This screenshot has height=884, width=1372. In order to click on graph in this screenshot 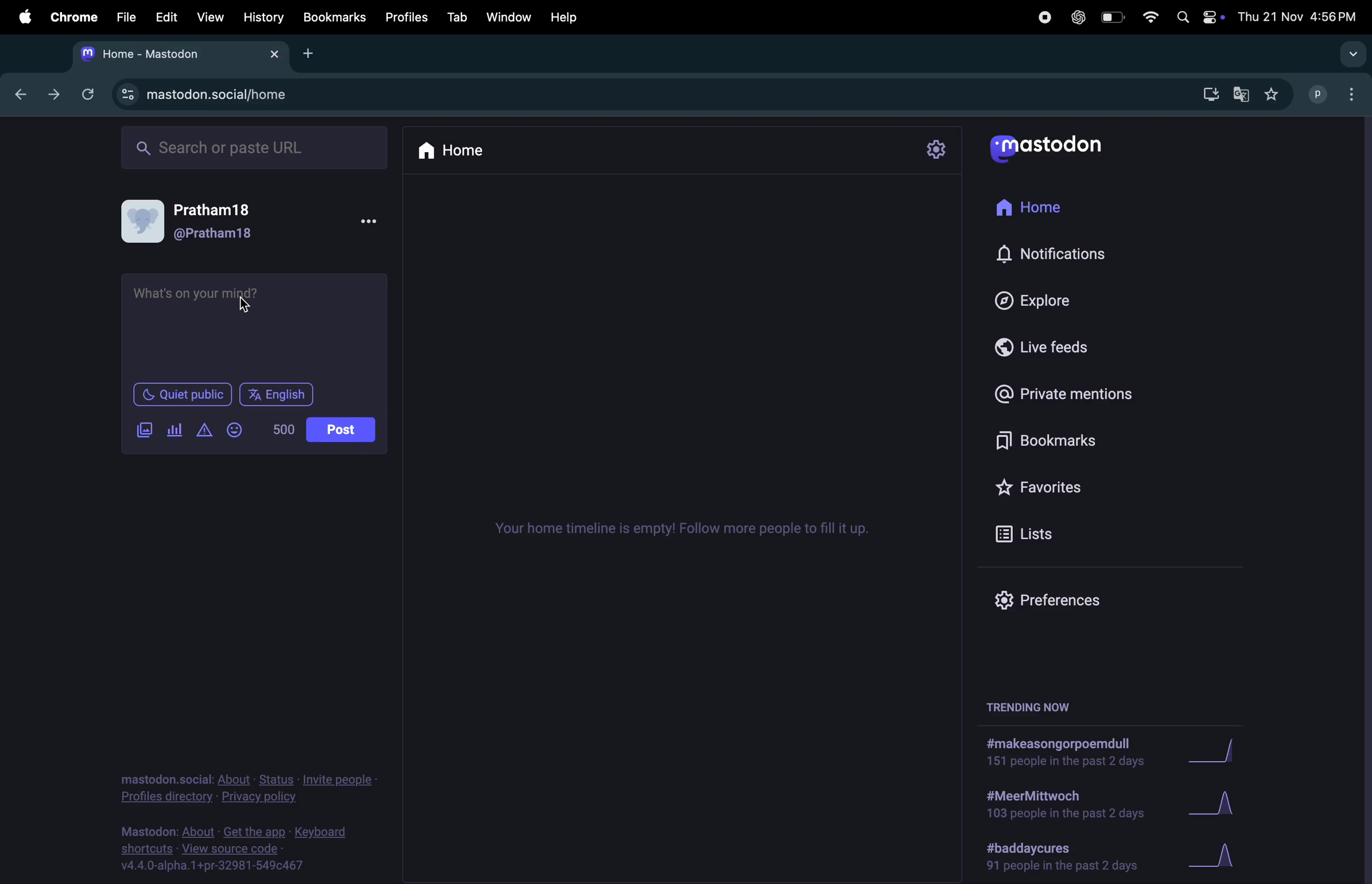, I will do `click(1217, 856)`.